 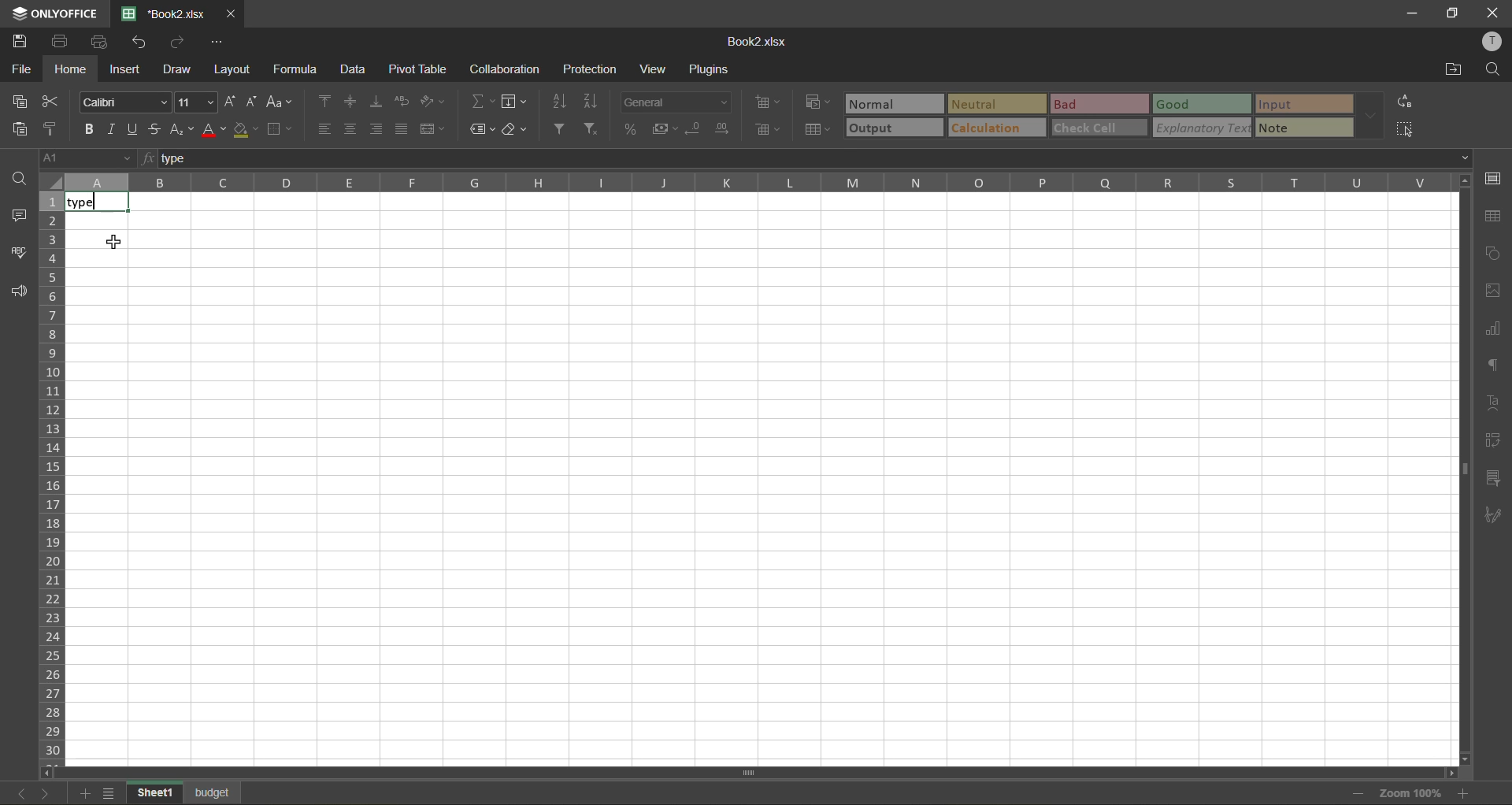 I want to click on open location, so click(x=1454, y=69).